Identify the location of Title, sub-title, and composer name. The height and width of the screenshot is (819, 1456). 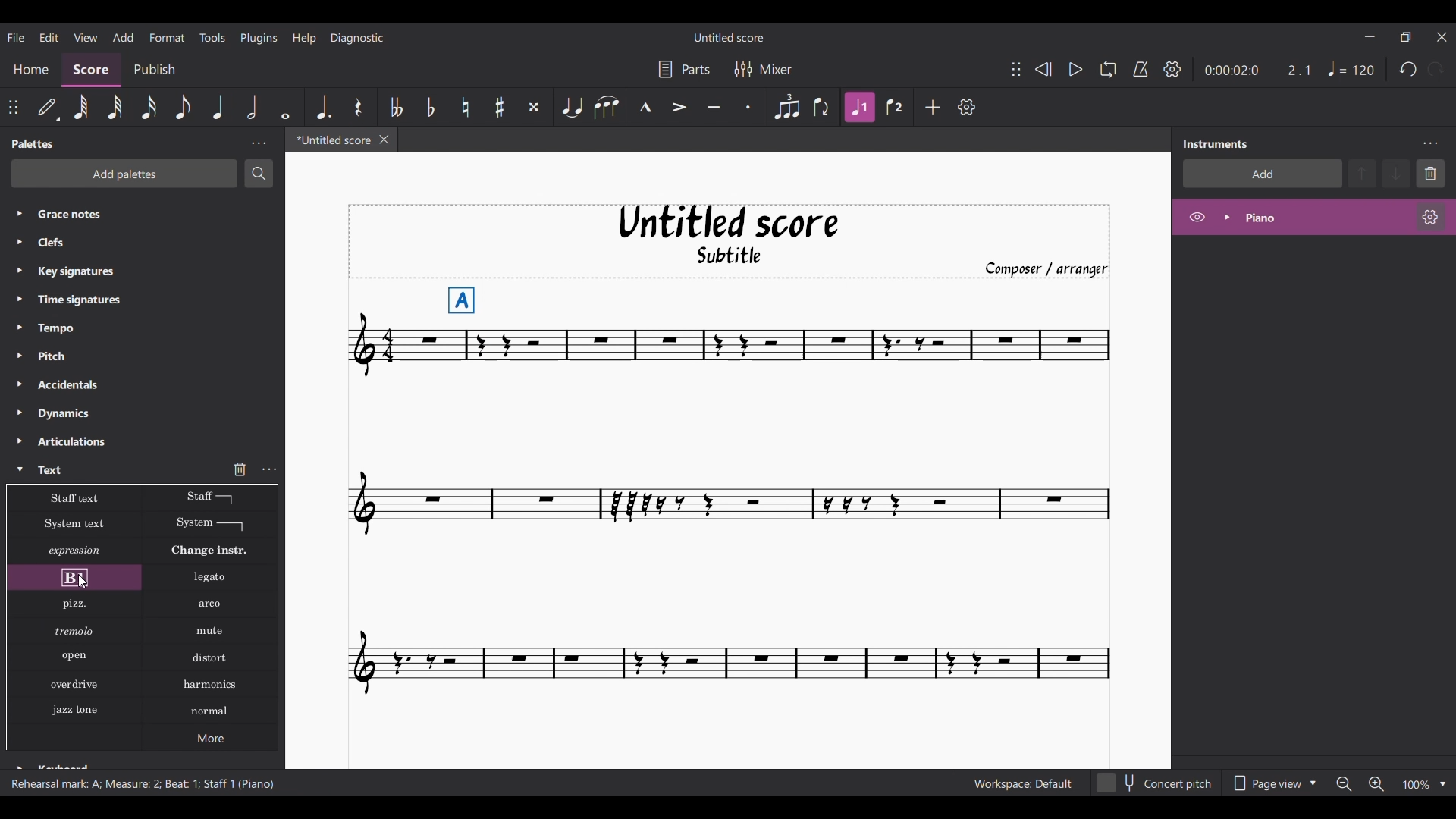
(727, 242).